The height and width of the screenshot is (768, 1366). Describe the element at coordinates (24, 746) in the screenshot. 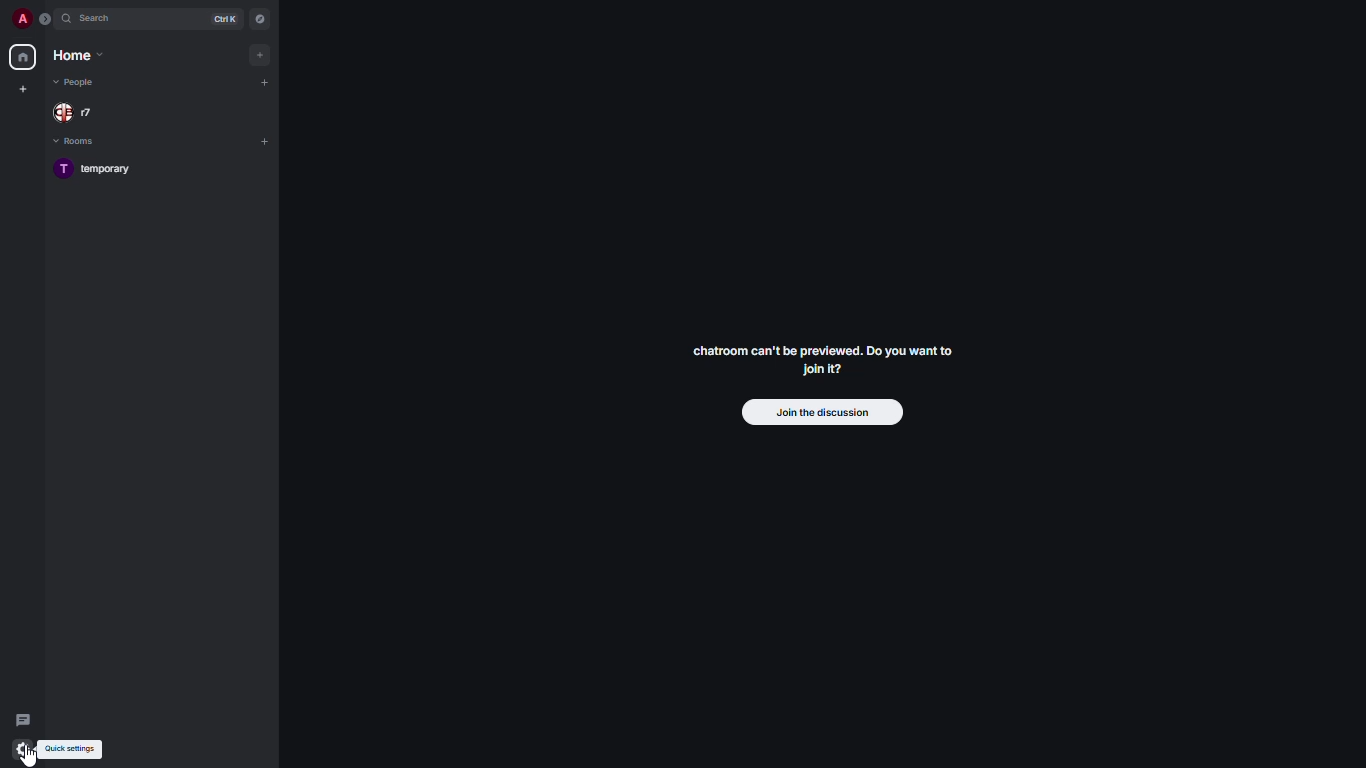

I see `quick settings` at that location.